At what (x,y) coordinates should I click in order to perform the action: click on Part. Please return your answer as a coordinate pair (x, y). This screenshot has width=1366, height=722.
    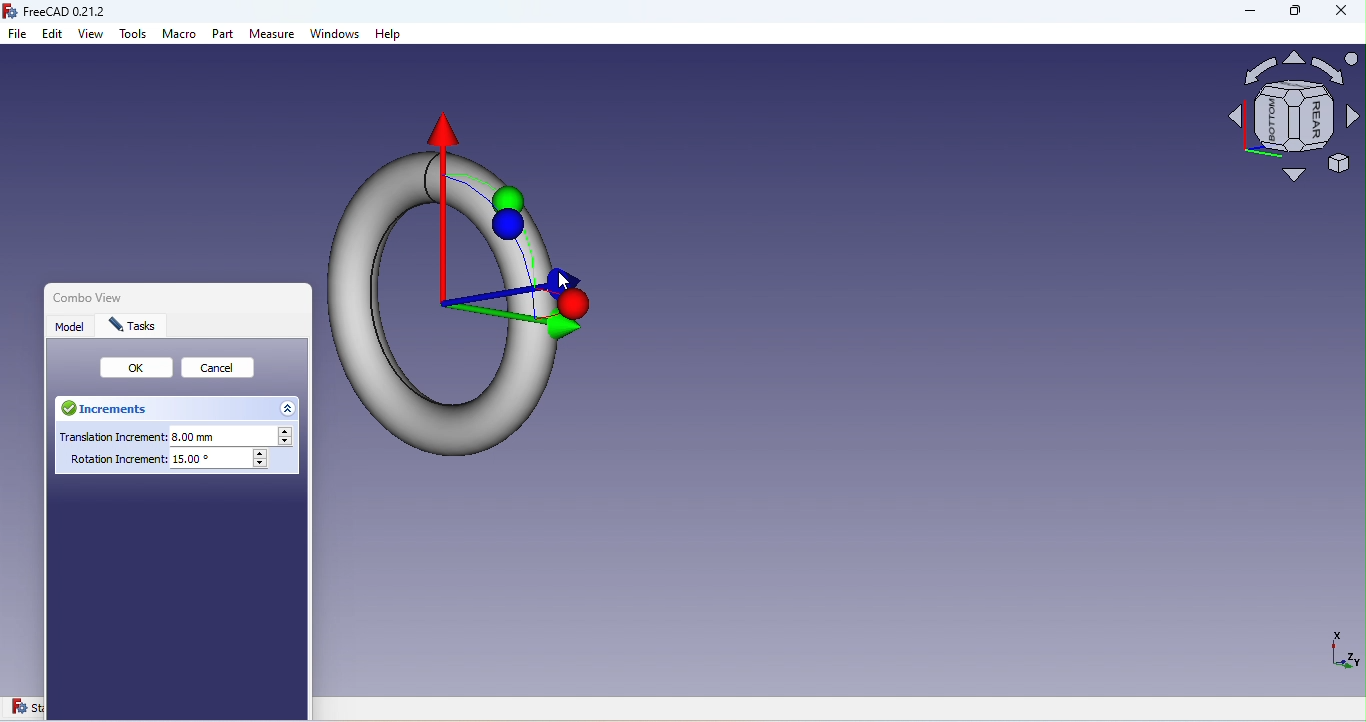
    Looking at the image, I should click on (224, 36).